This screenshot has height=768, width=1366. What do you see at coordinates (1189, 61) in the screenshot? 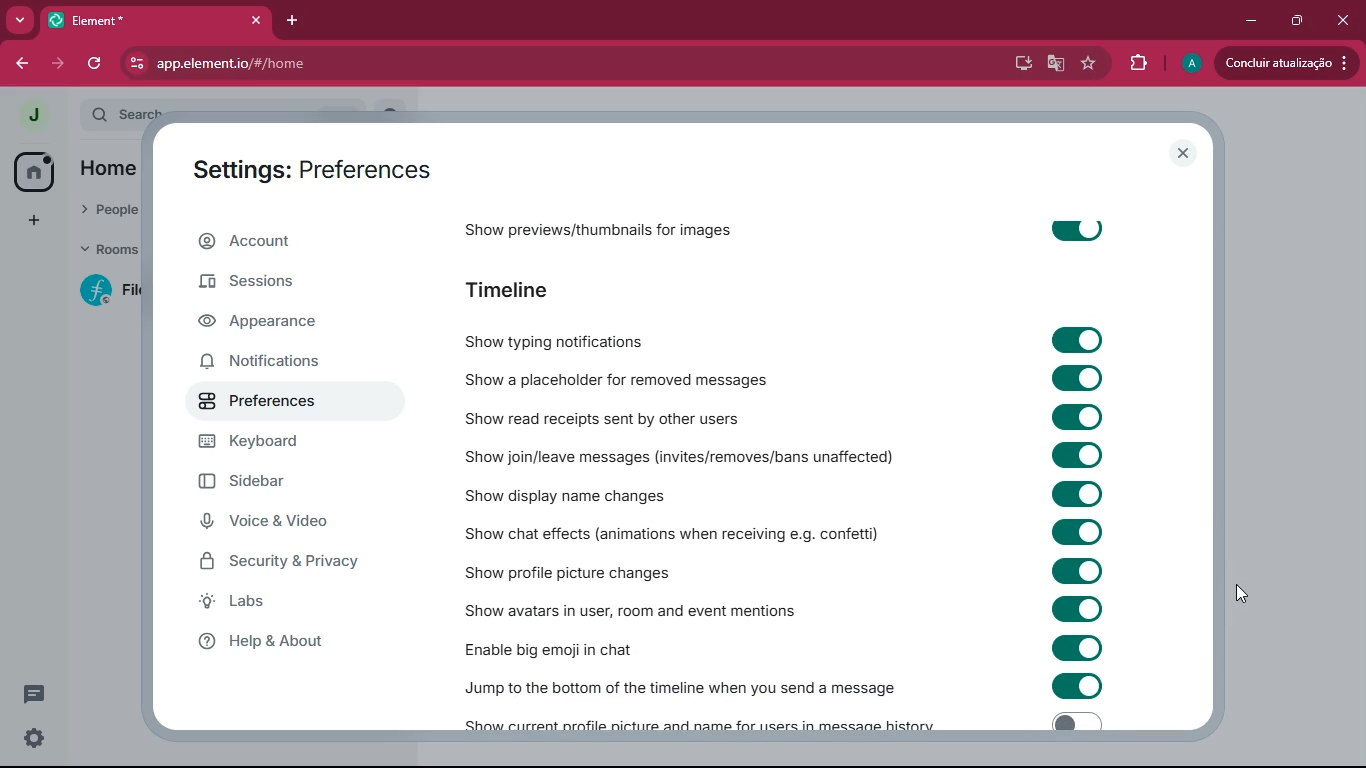
I see `A` at bounding box center [1189, 61].